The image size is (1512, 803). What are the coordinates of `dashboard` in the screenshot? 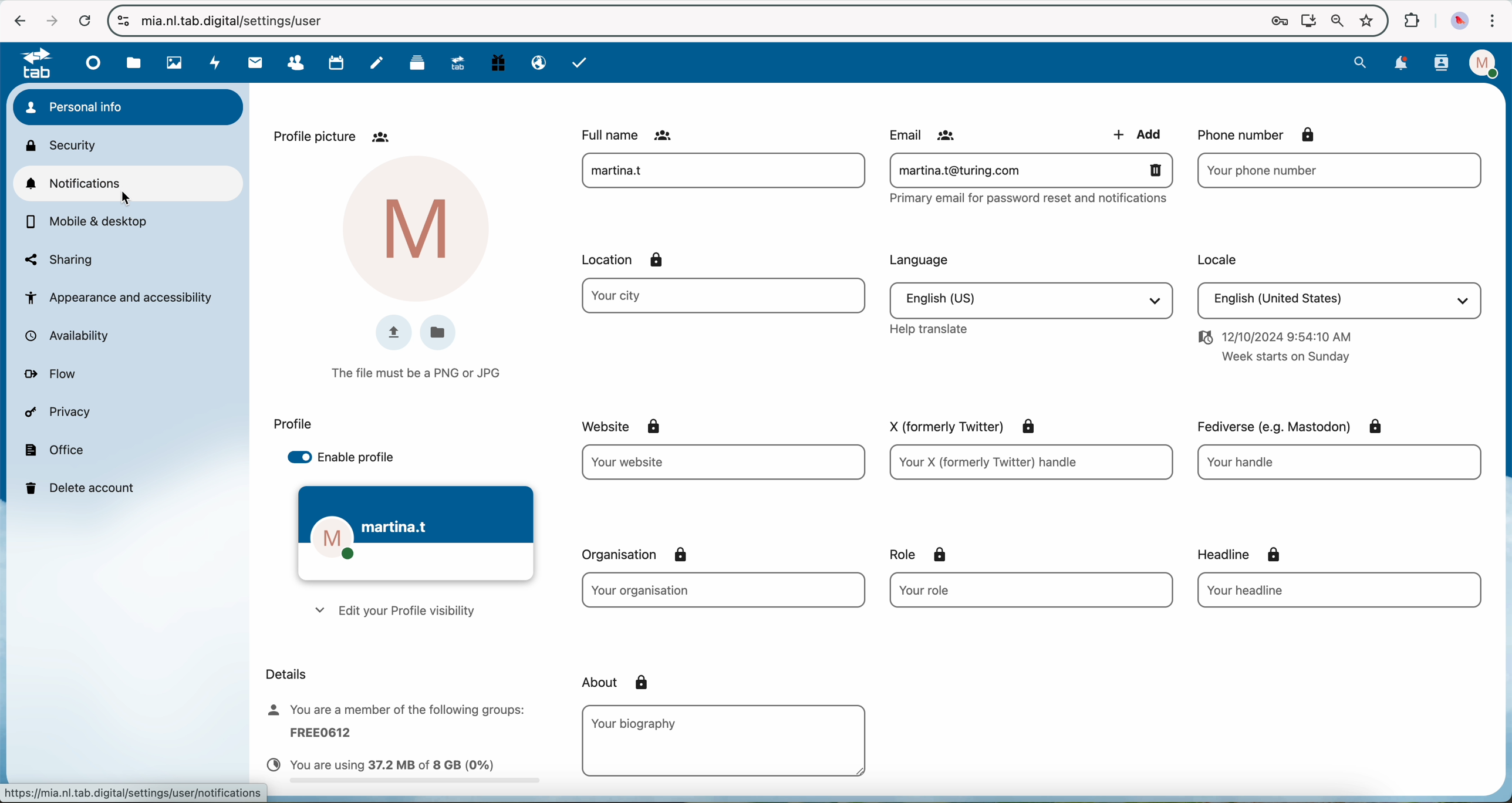 It's located at (95, 67).